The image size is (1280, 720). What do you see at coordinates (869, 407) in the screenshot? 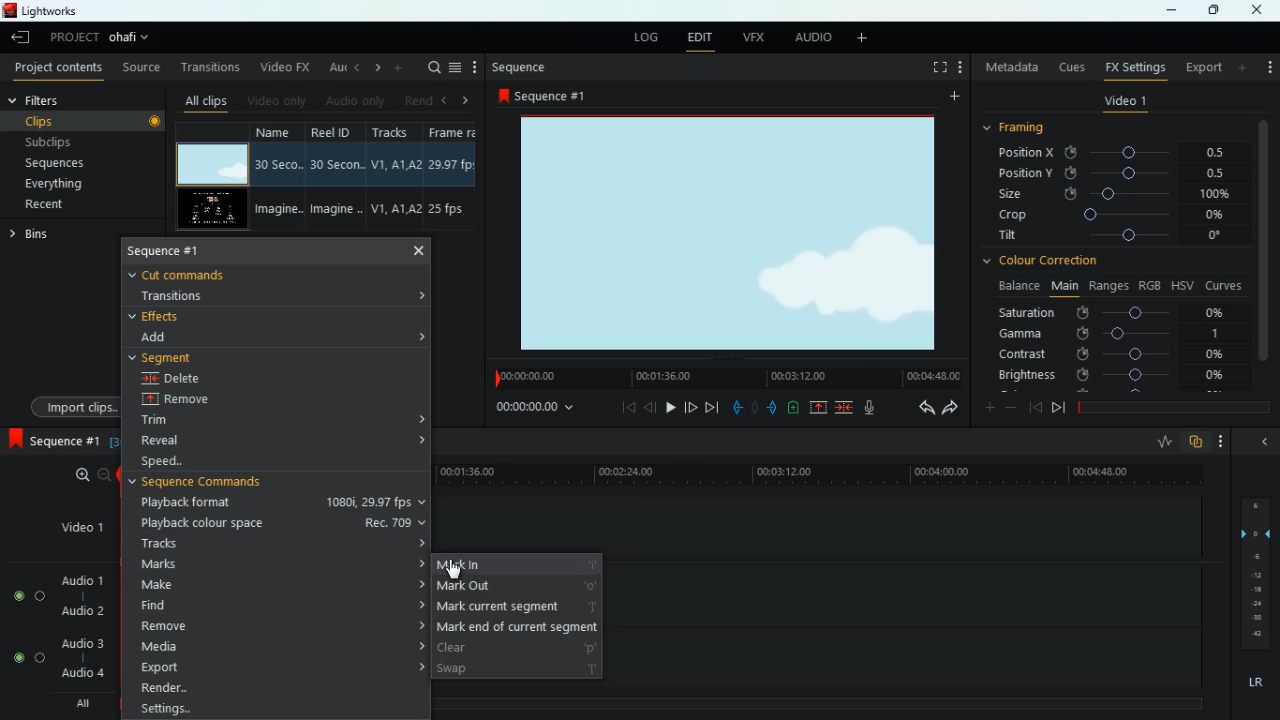
I see `mic` at bounding box center [869, 407].